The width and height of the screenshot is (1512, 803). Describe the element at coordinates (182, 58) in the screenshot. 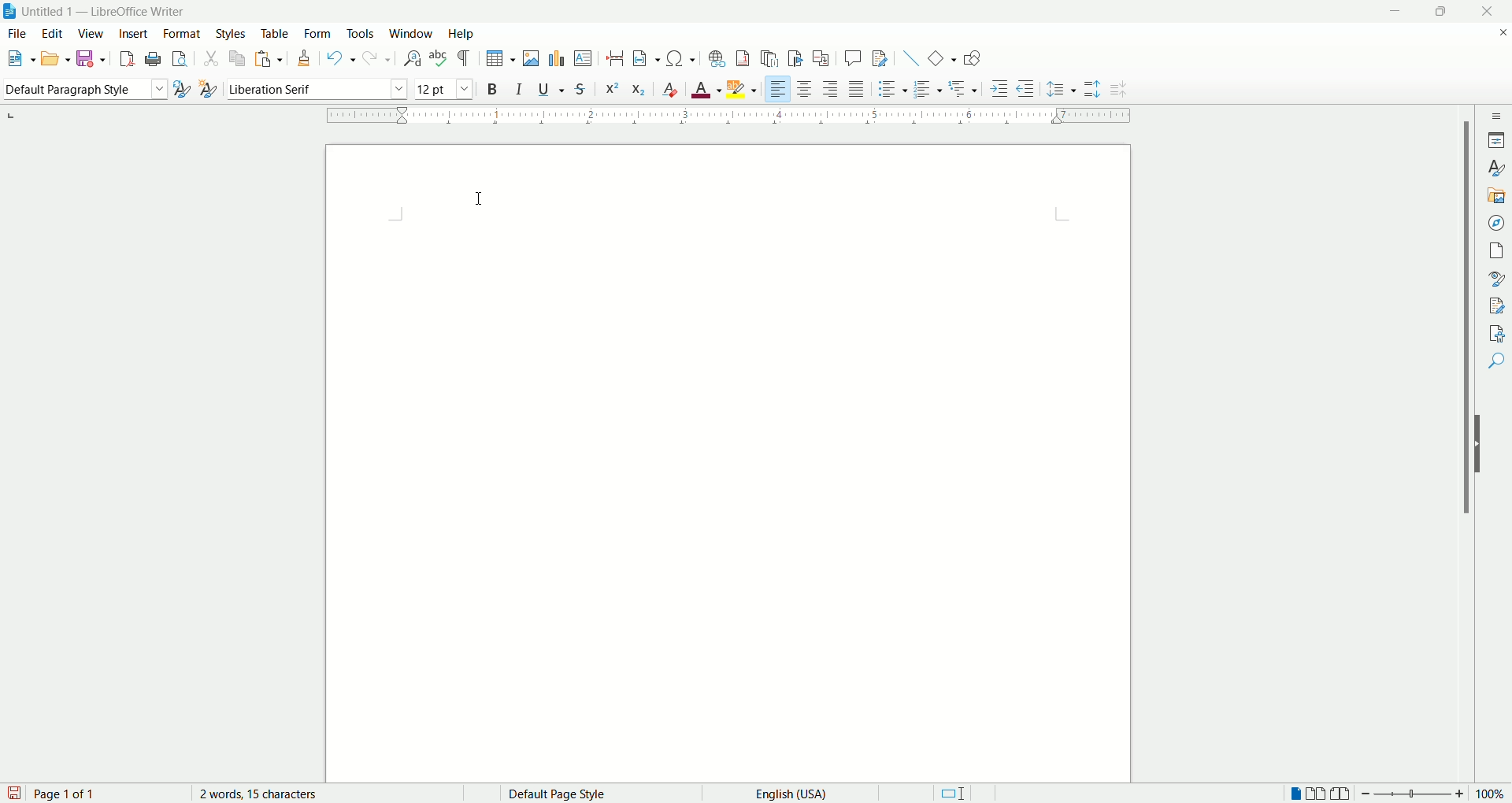

I see `print preview` at that location.